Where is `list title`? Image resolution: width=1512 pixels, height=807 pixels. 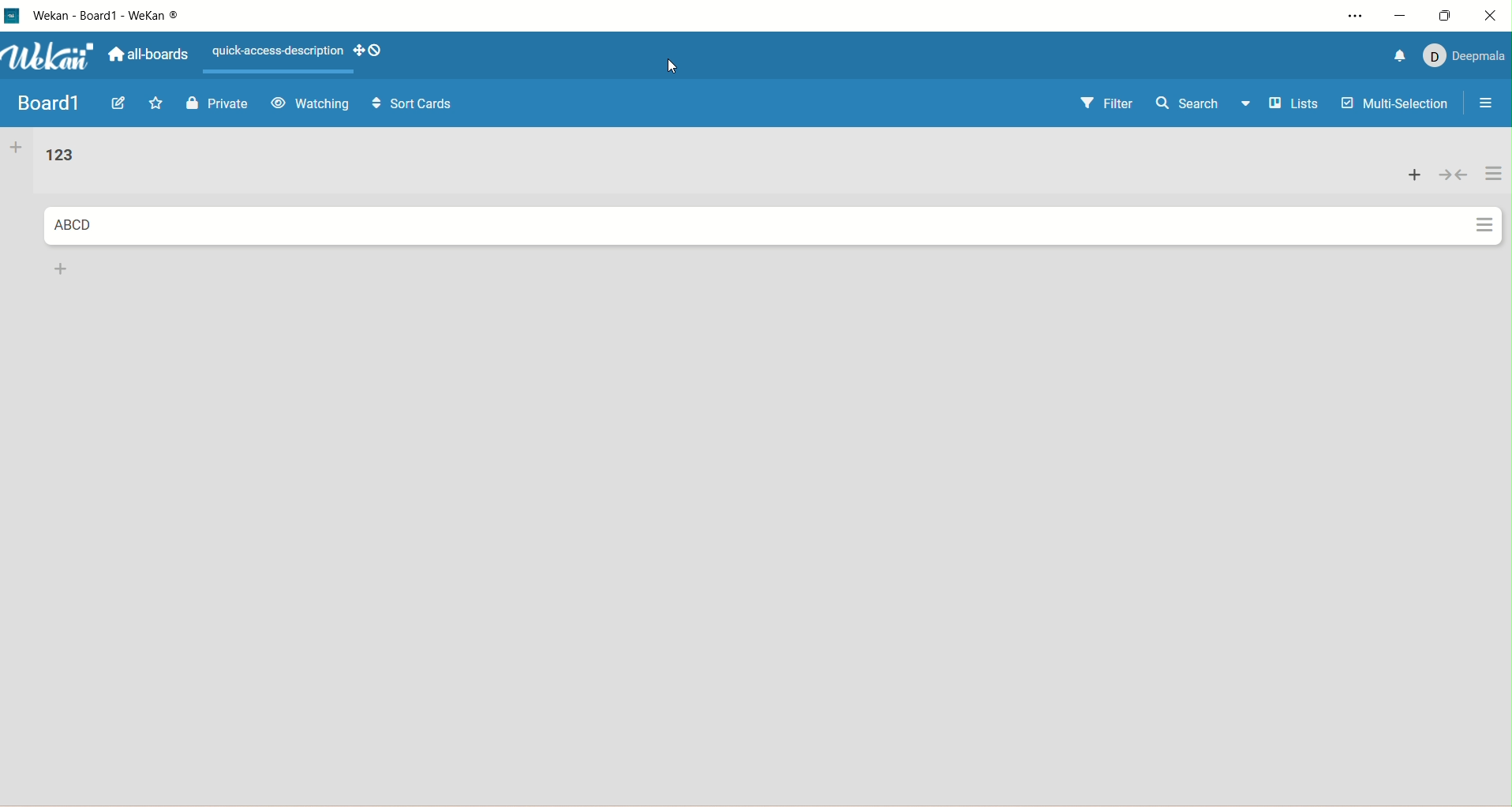 list title is located at coordinates (58, 156).